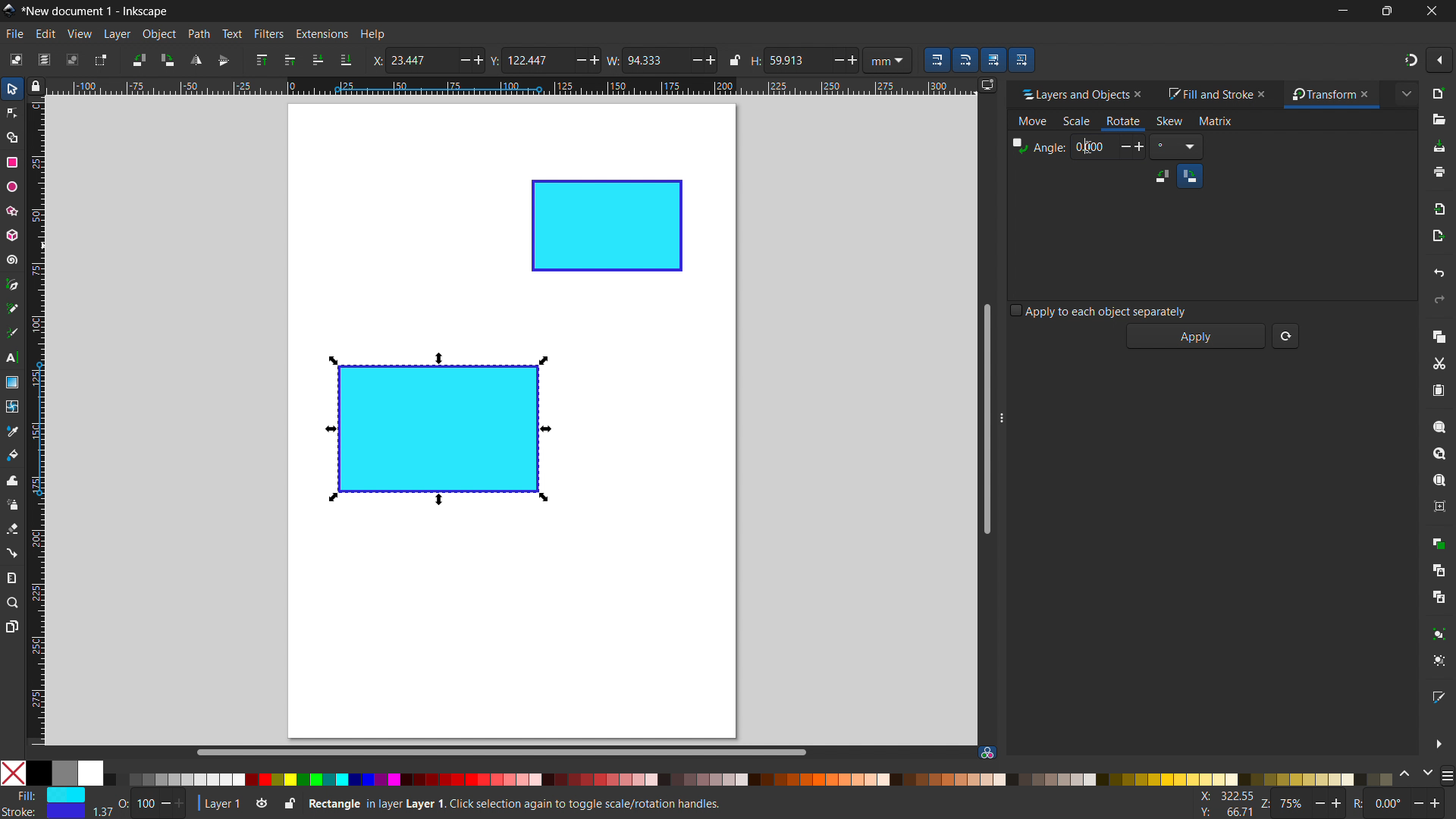  I want to click on lower to bottom, so click(346, 61).